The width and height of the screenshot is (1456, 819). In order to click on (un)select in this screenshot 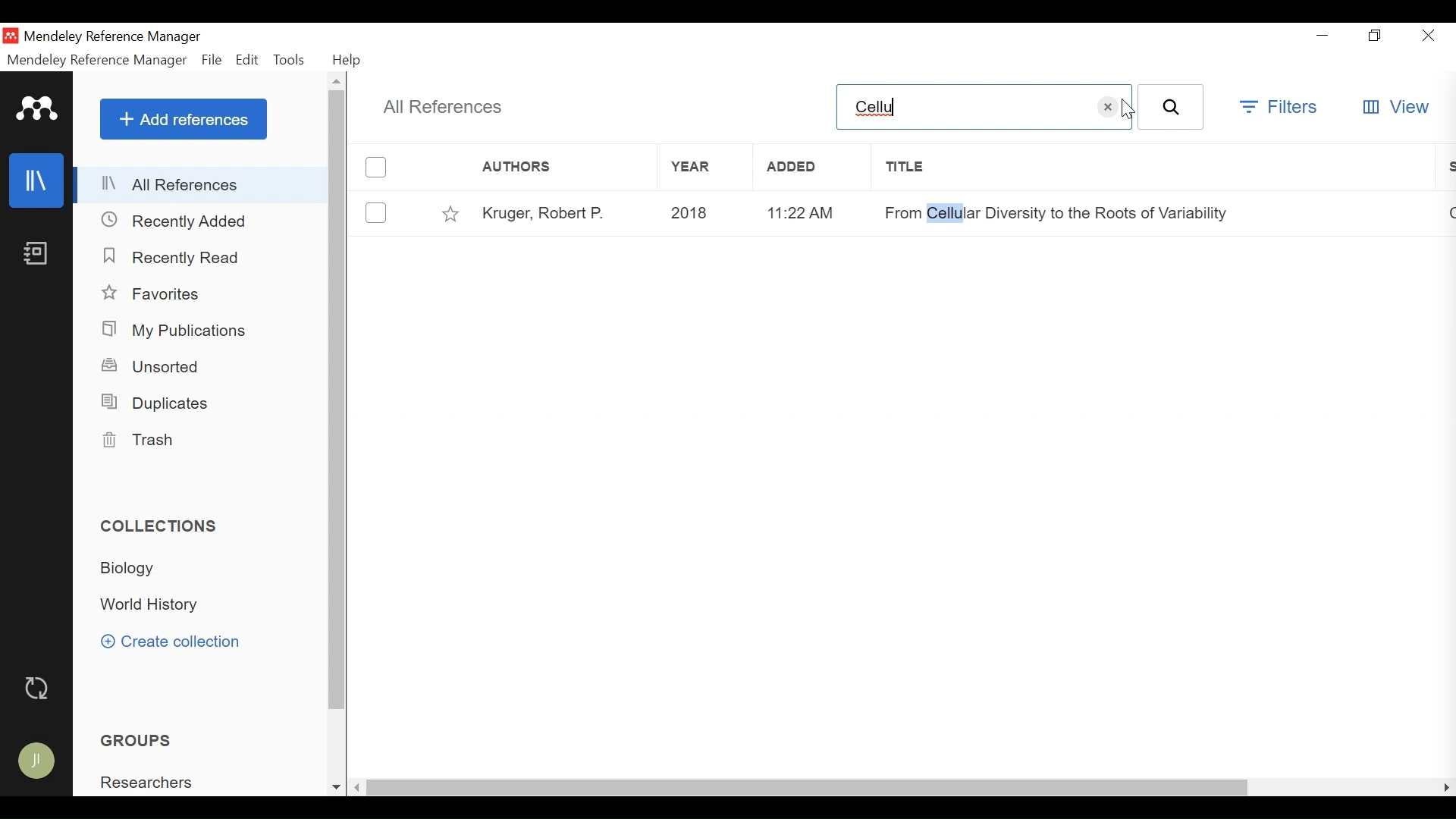, I will do `click(377, 168)`.